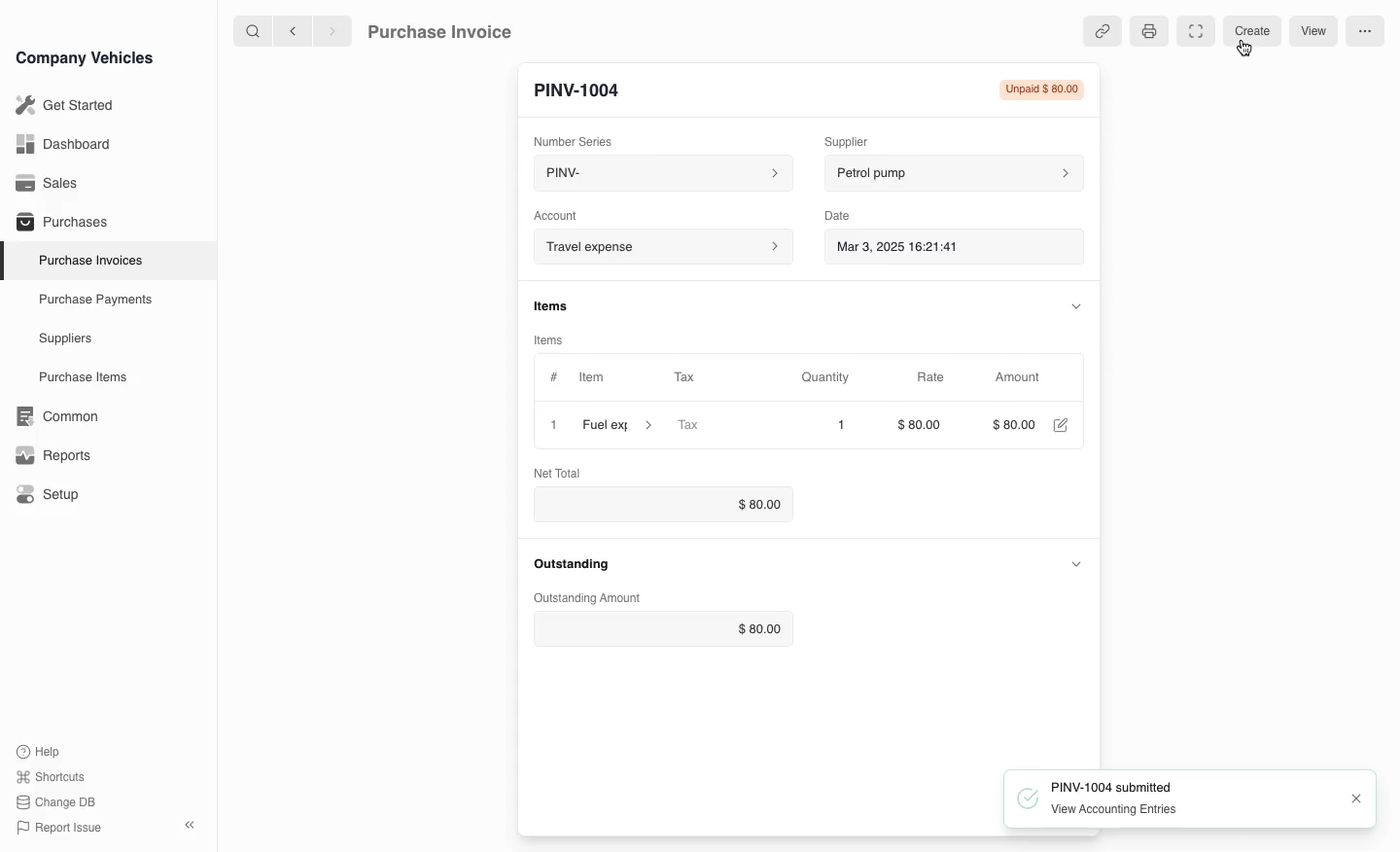 Image resolution: width=1400 pixels, height=852 pixels. Describe the element at coordinates (827, 425) in the screenshot. I see `1` at that location.